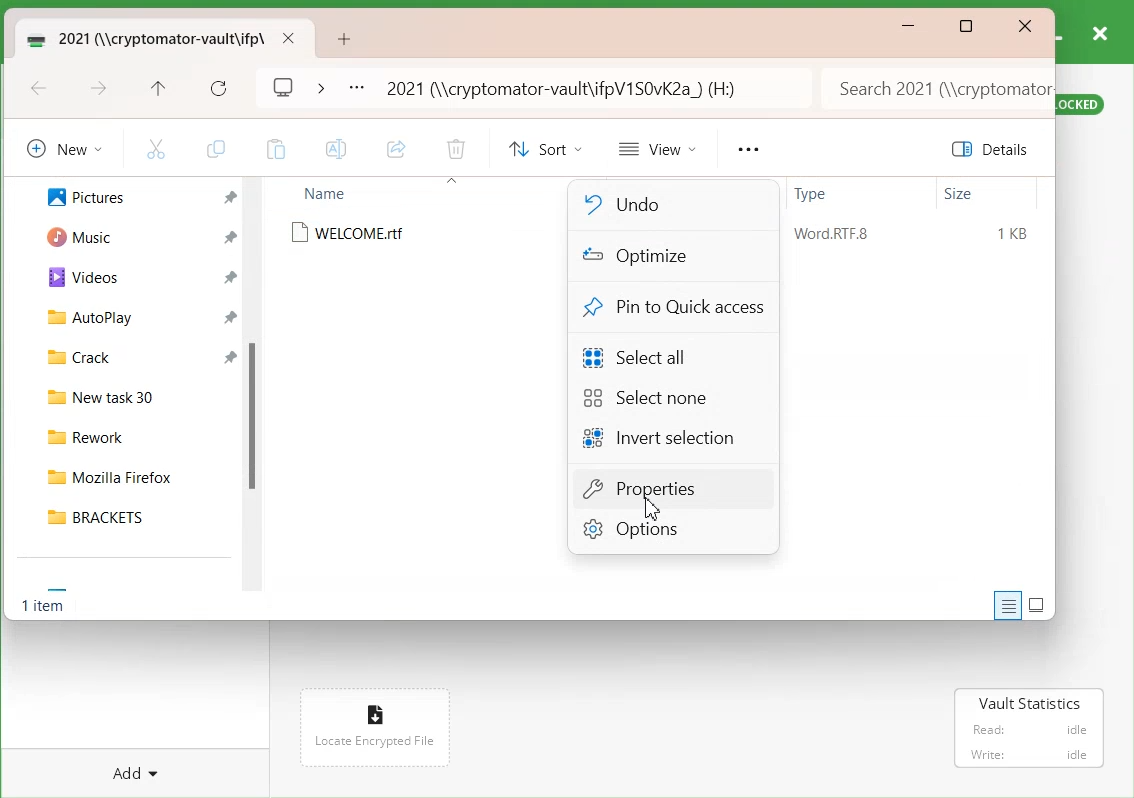  Describe the element at coordinates (156, 148) in the screenshot. I see `Cut` at that location.